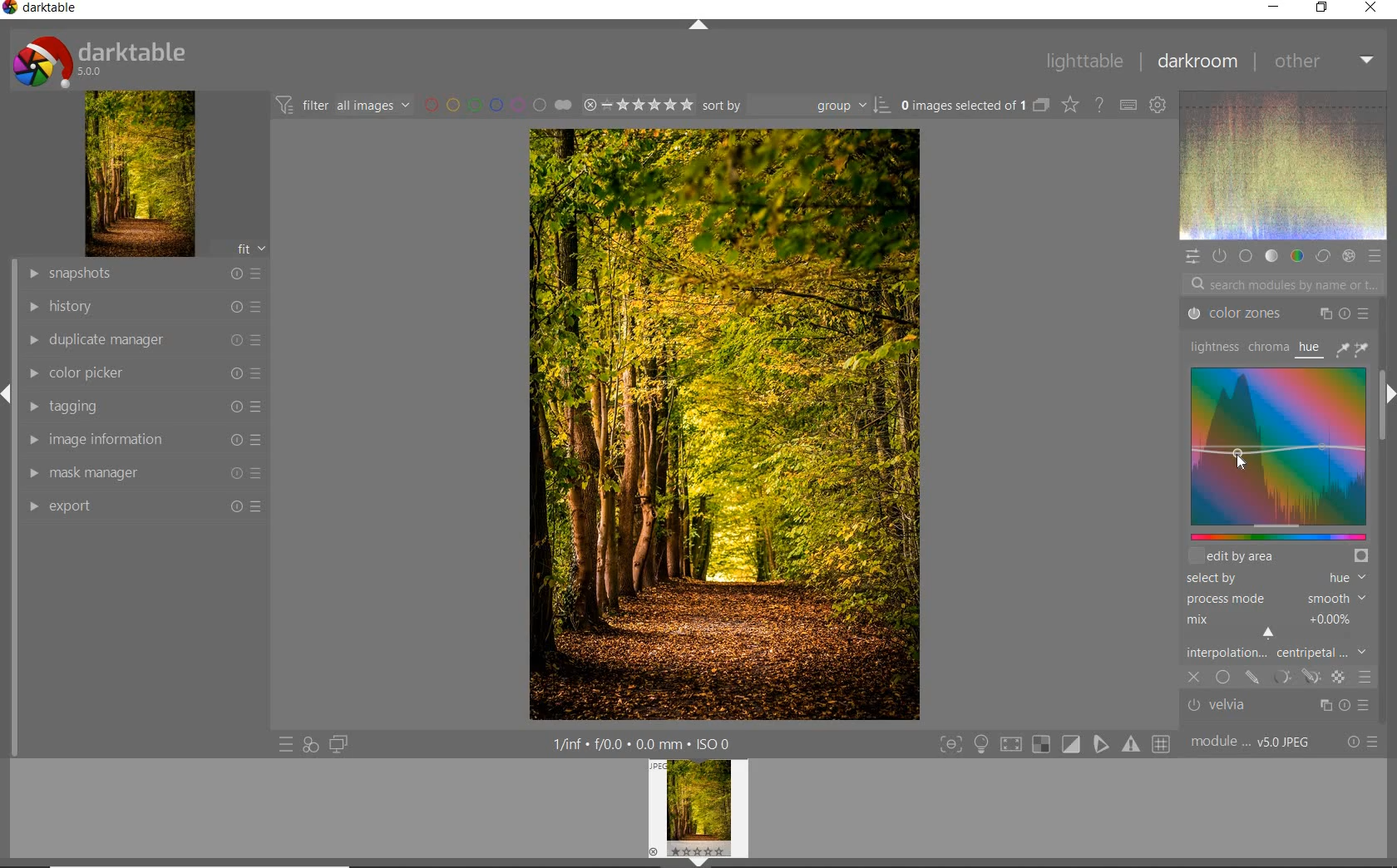 The width and height of the screenshot is (1397, 868). I want to click on IMAGE PREVIEW, so click(698, 813).